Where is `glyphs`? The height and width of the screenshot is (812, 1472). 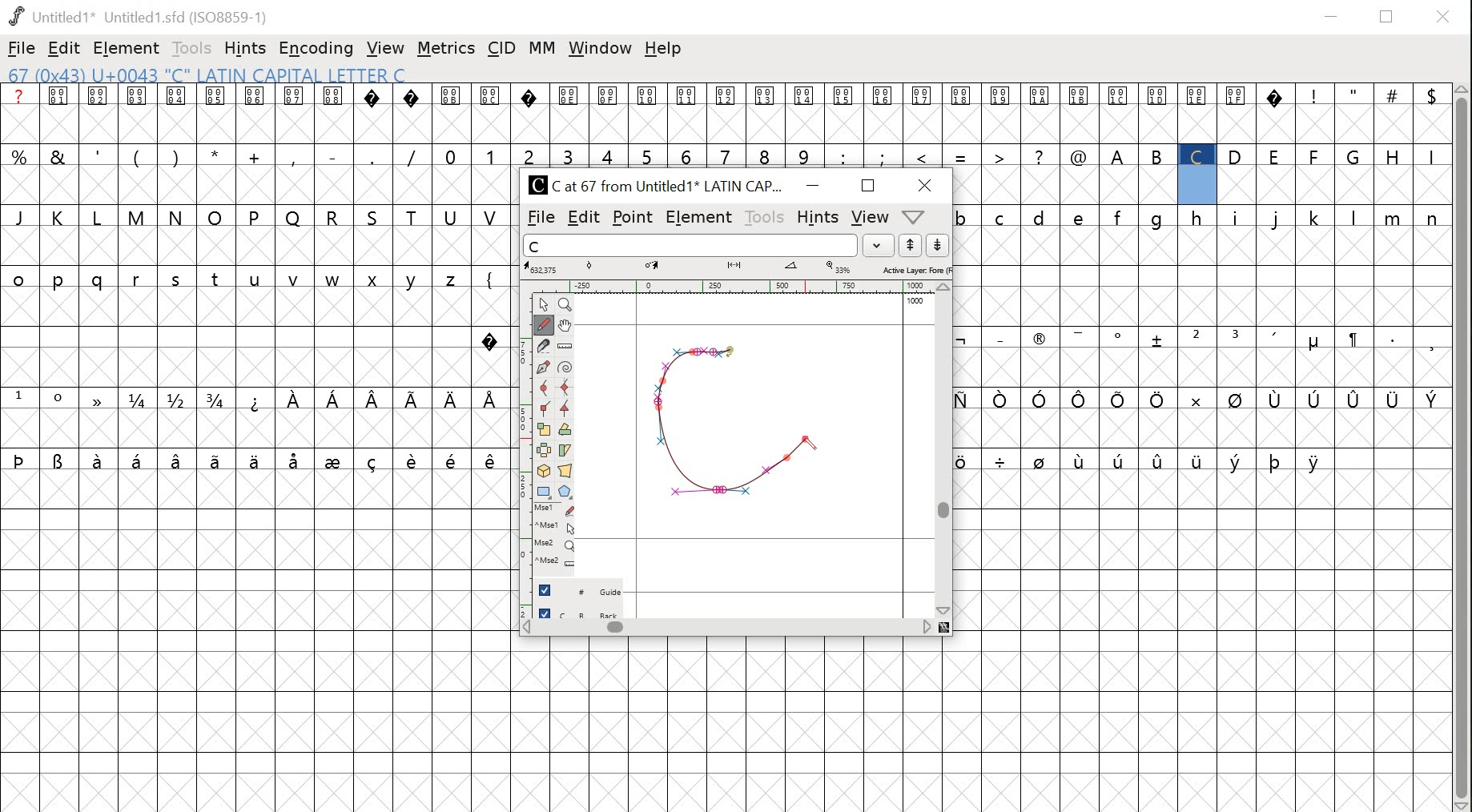
glyphs is located at coordinates (1199, 308).